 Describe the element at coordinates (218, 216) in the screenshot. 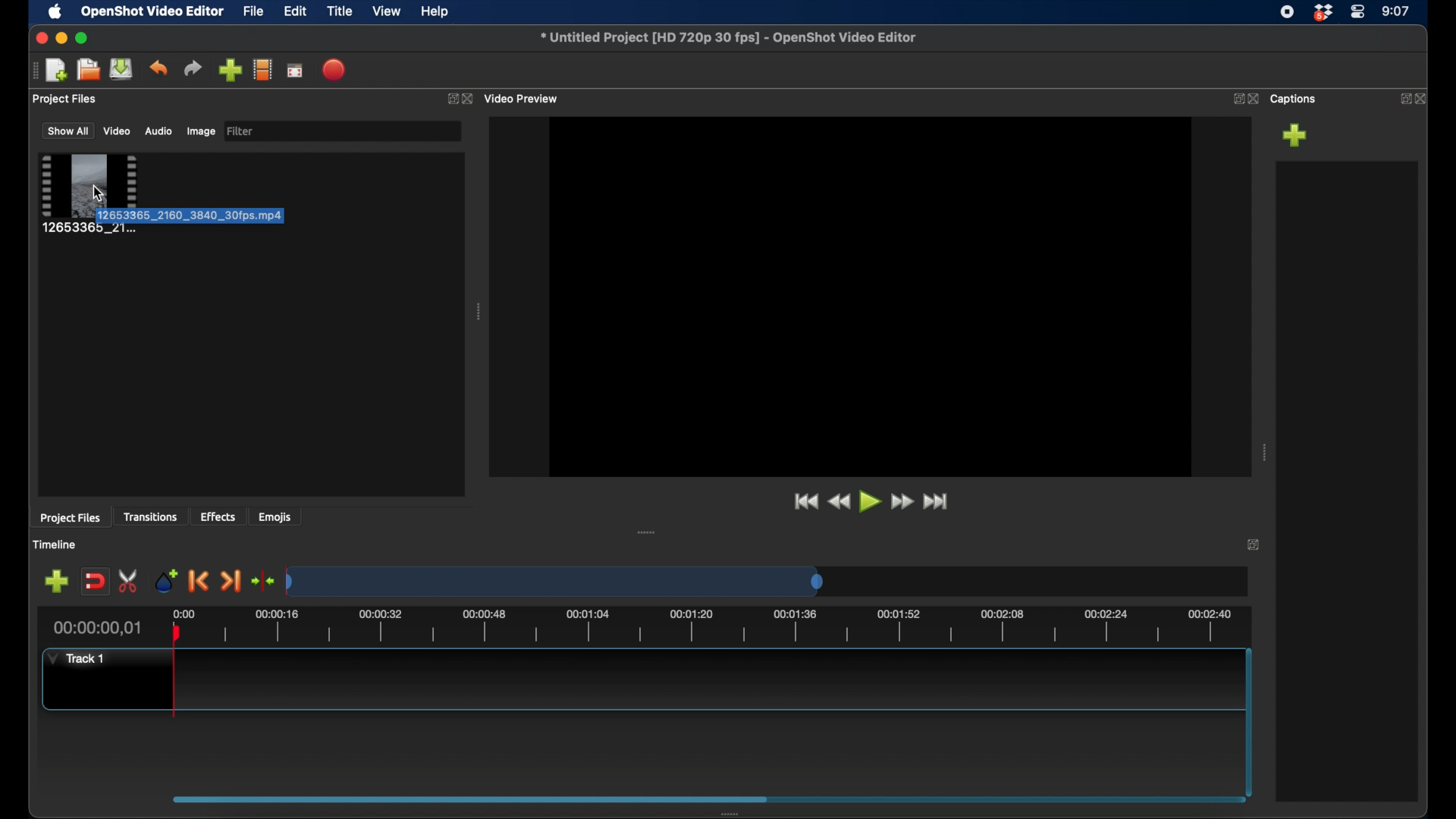

I see `tooltip` at that location.